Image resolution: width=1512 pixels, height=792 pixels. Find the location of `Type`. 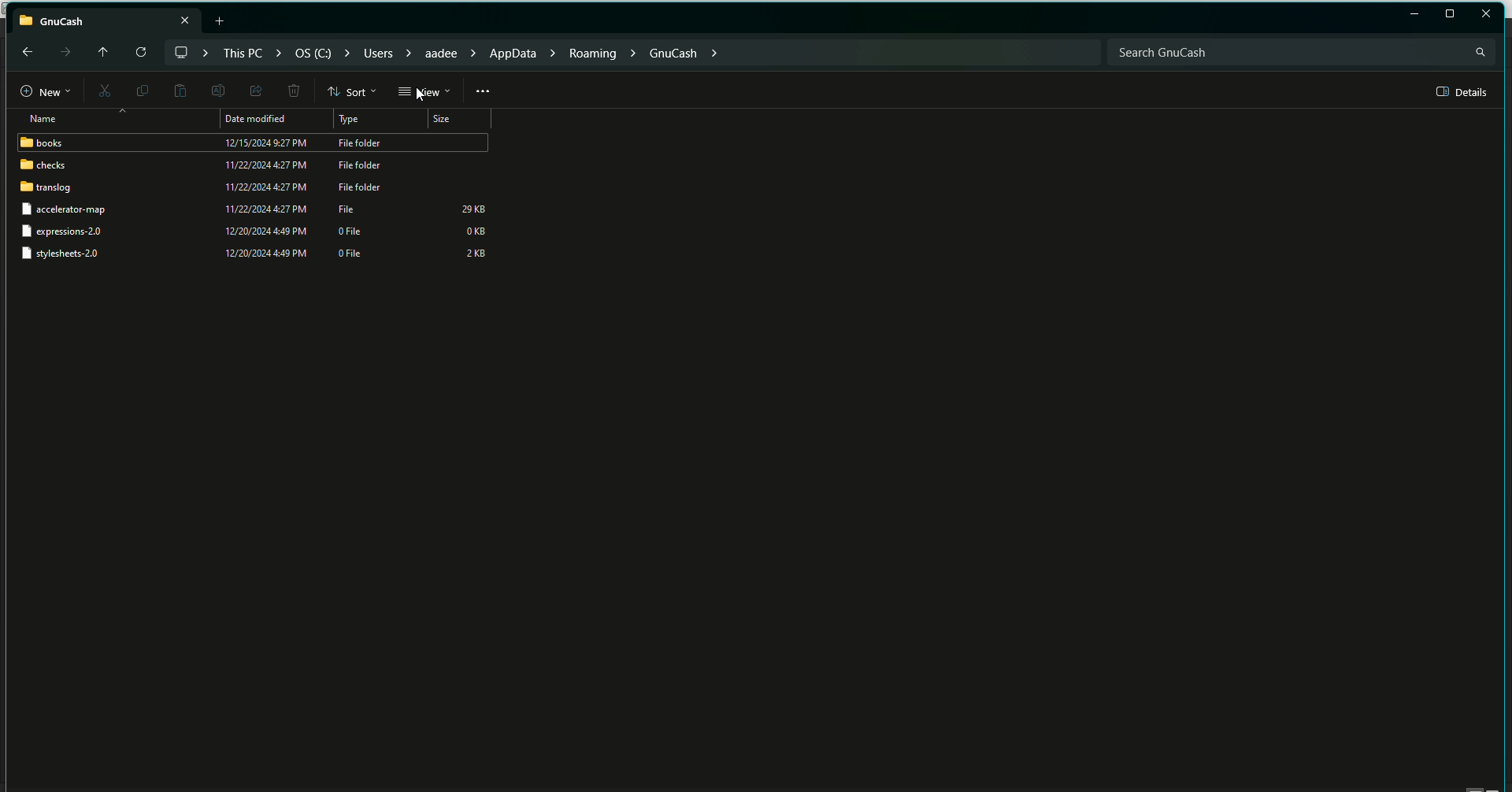

Type is located at coordinates (357, 120).